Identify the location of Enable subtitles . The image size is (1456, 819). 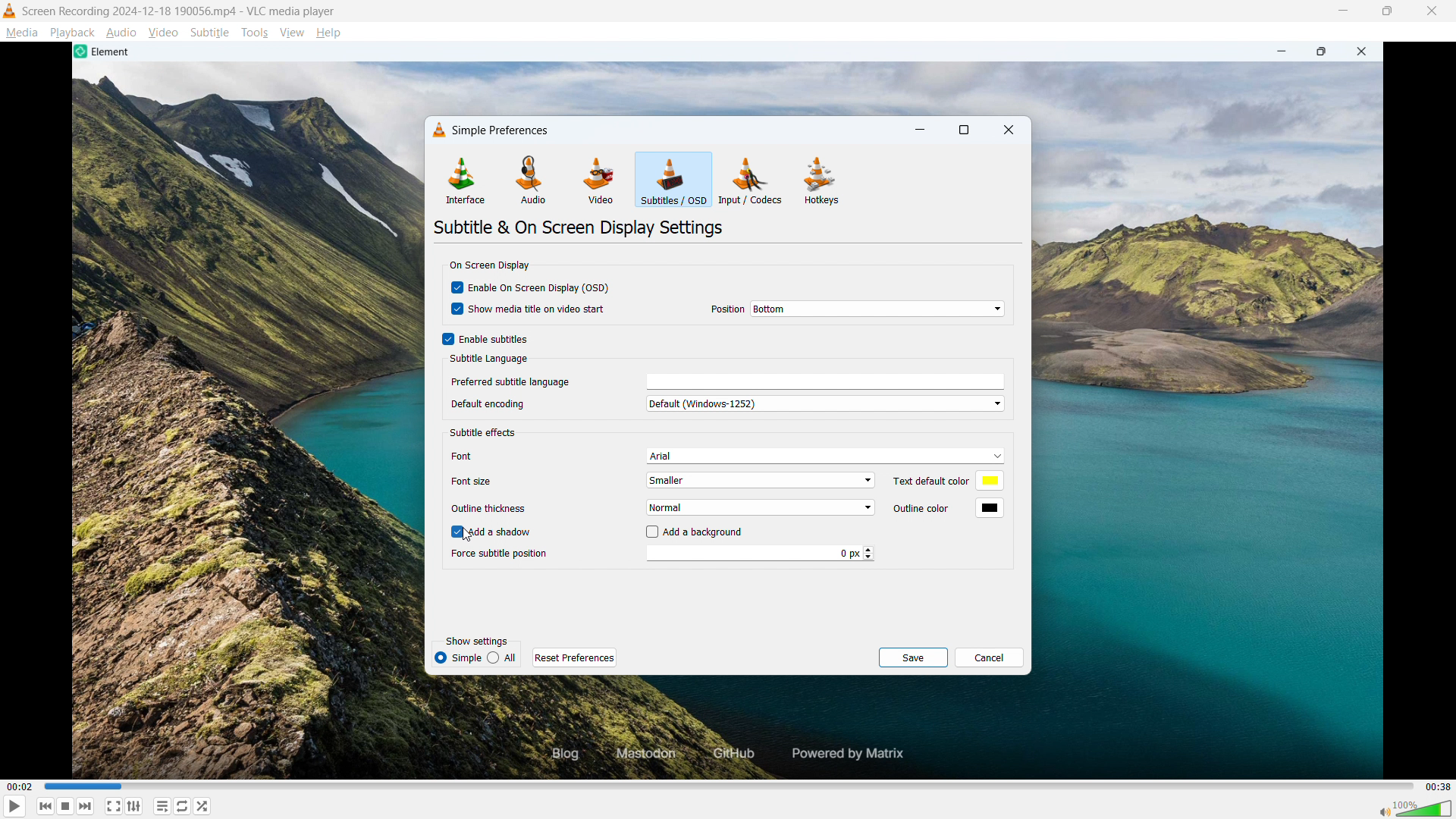
(496, 339).